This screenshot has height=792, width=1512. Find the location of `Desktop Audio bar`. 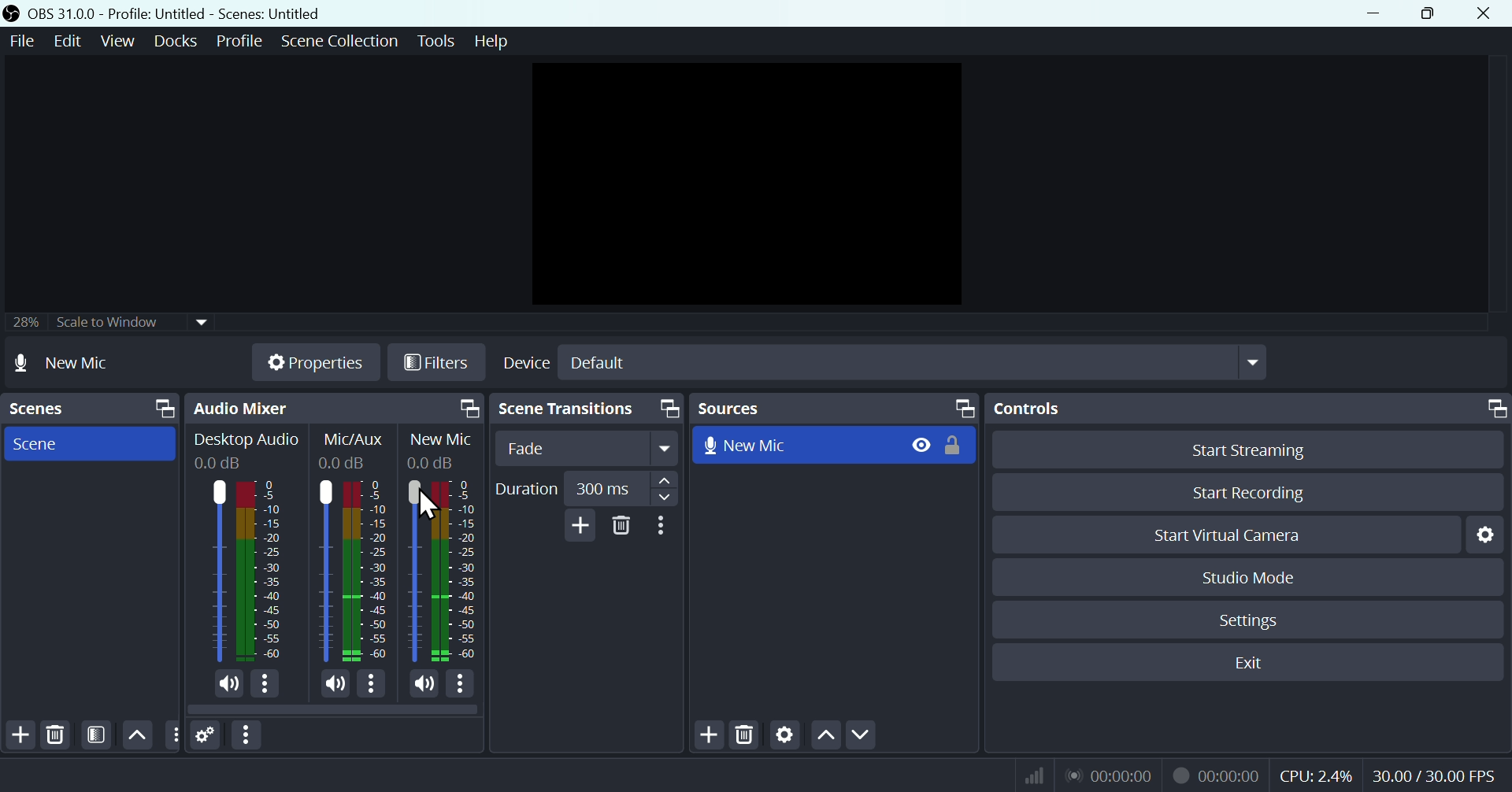

Desktop Audio bar is located at coordinates (257, 571).